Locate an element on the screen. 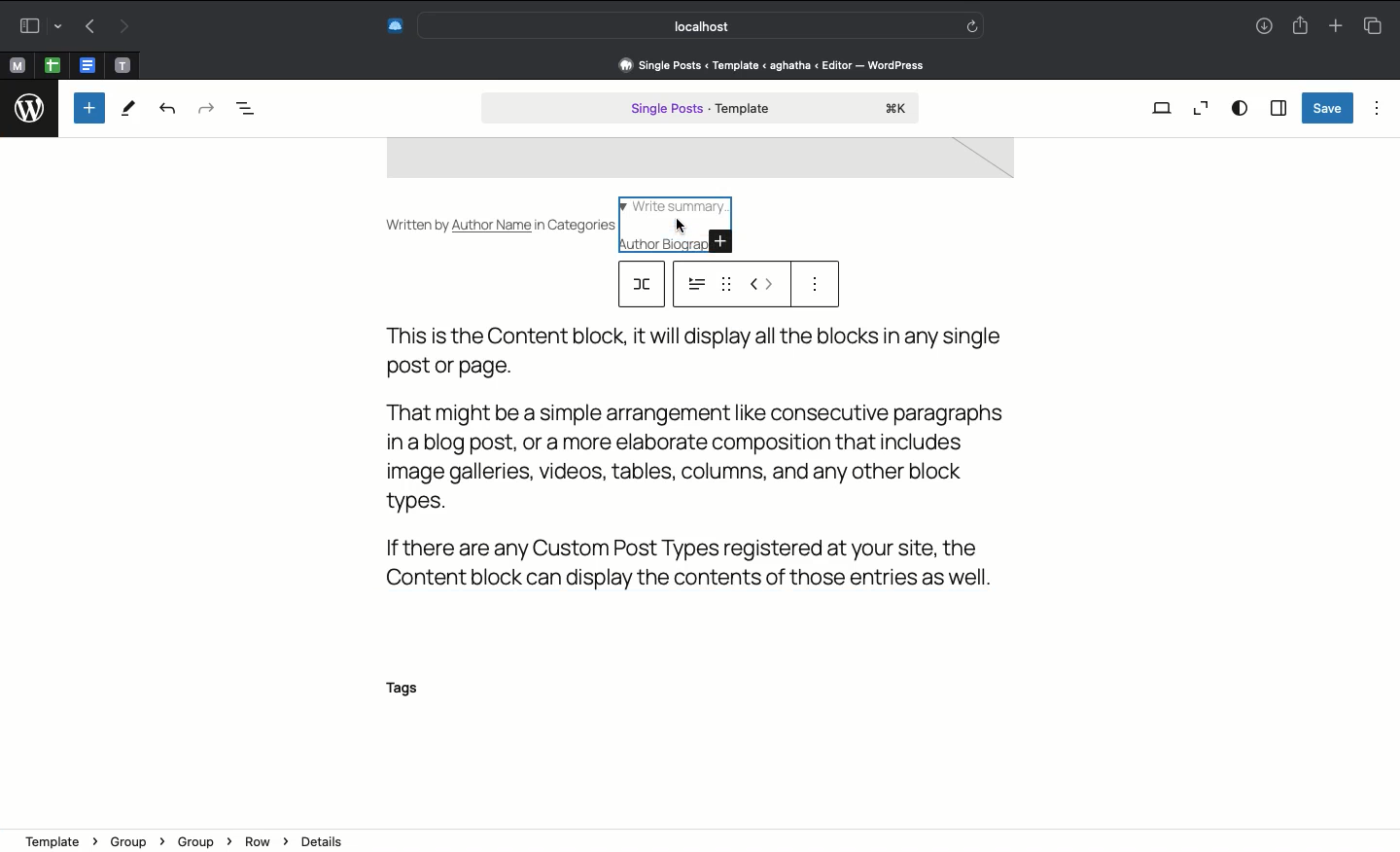 Image resolution: width=1400 pixels, height=852 pixels. Tags is located at coordinates (411, 694).